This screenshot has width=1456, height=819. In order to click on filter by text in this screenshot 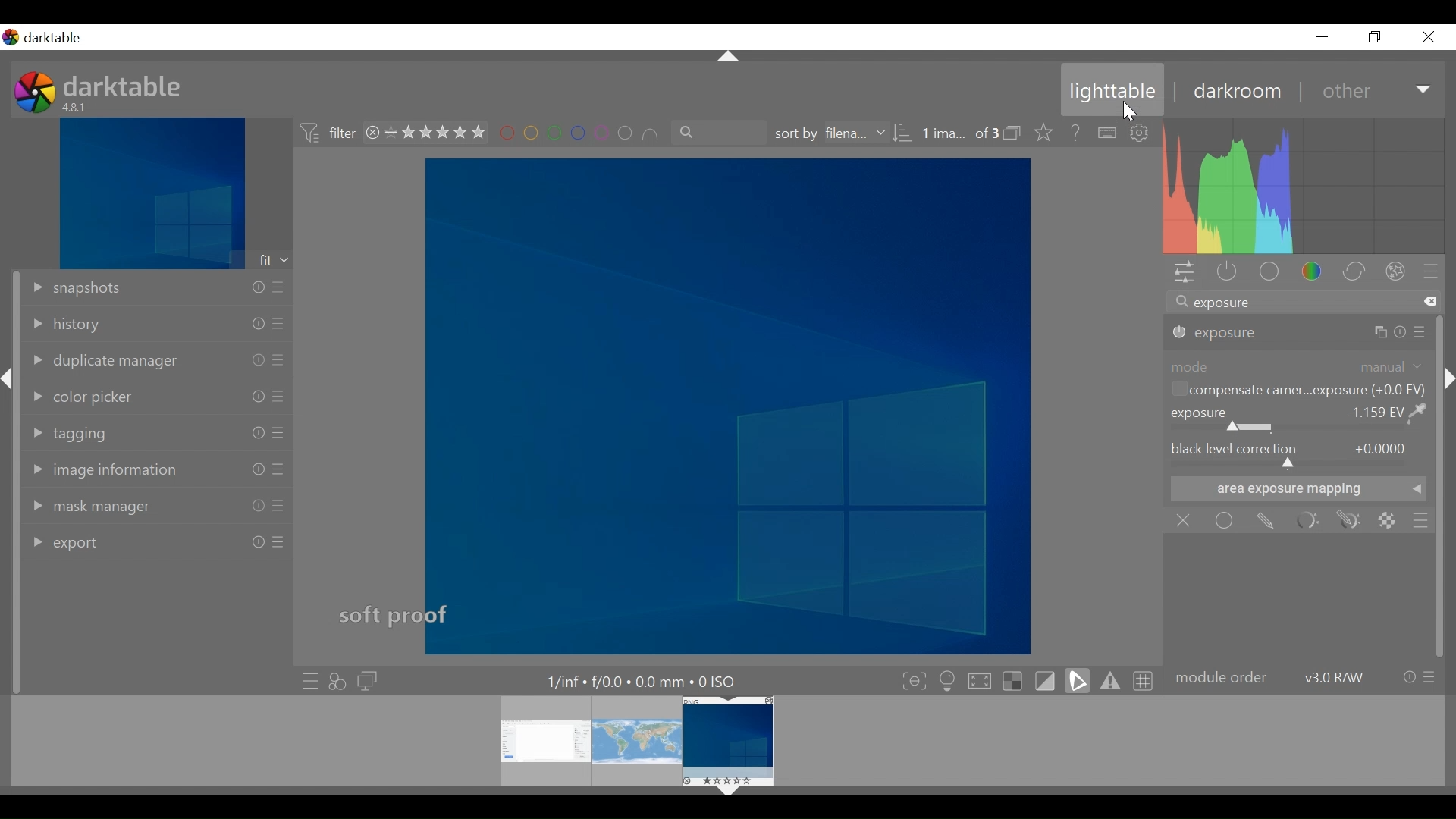, I will do `click(720, 133)`.